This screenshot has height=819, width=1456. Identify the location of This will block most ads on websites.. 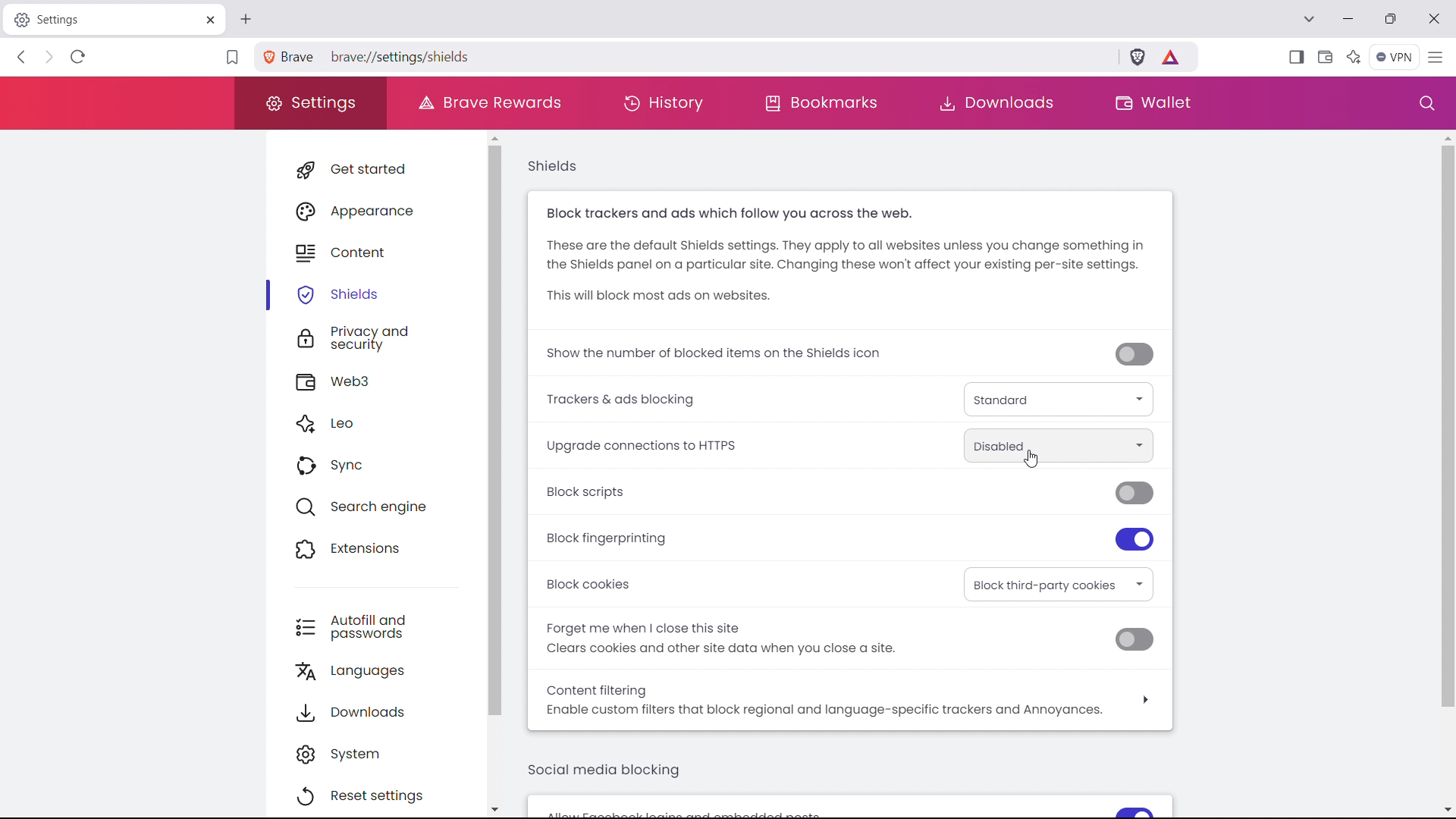
(657, 297).